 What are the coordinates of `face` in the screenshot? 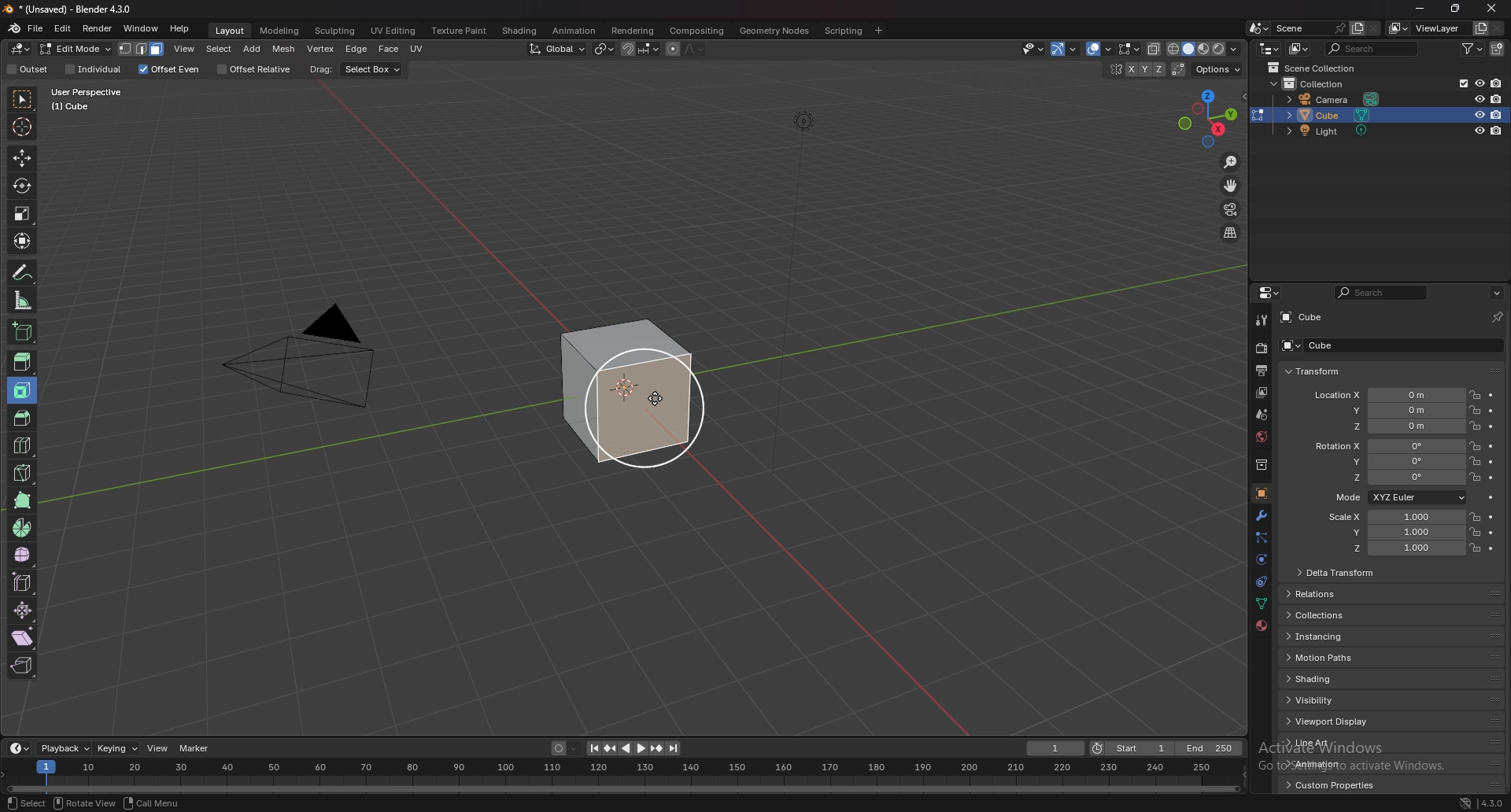 It's located at (389, 50).